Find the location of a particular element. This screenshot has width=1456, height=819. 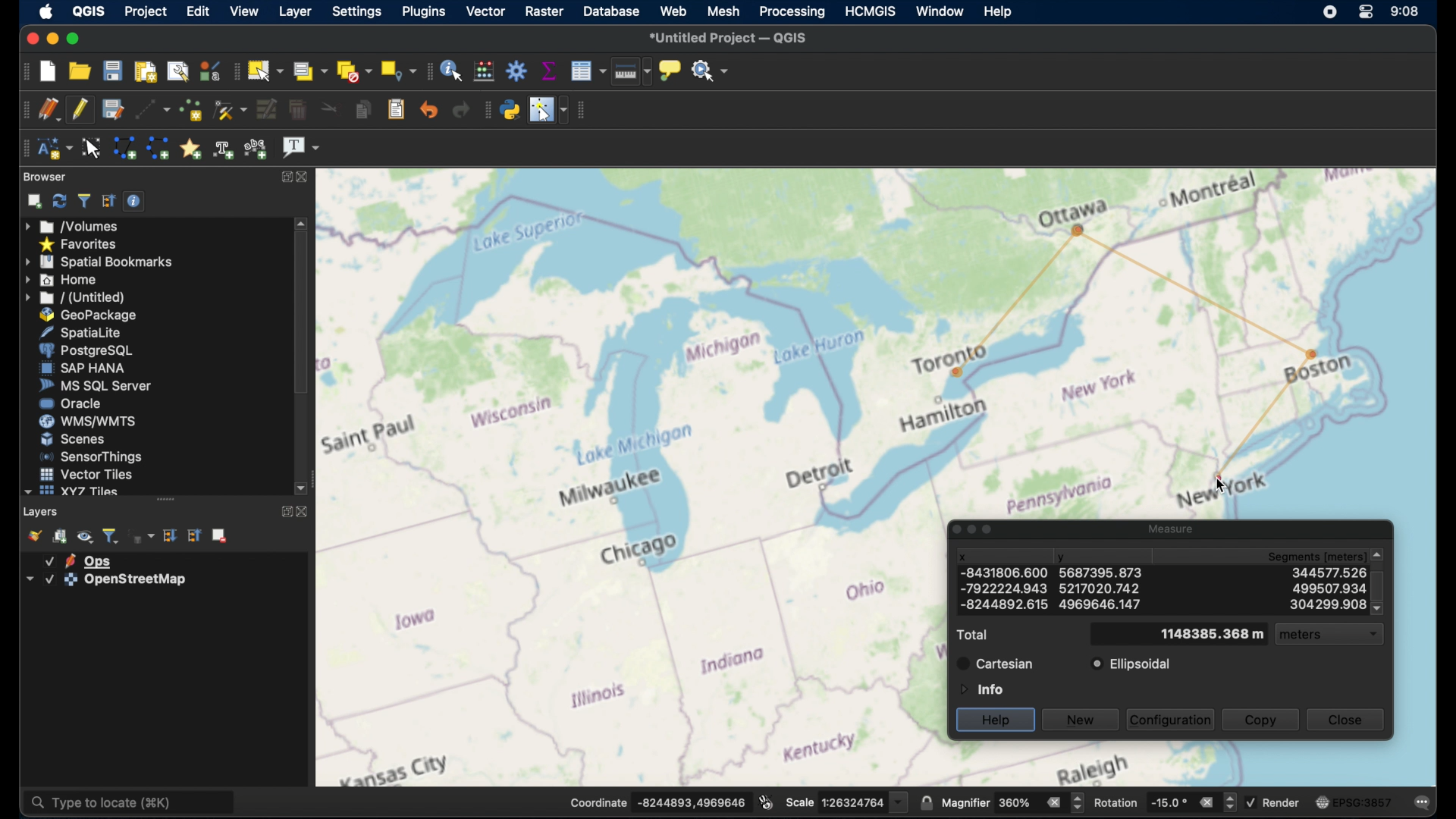

show layout manager is located at coordinates (177, 69).